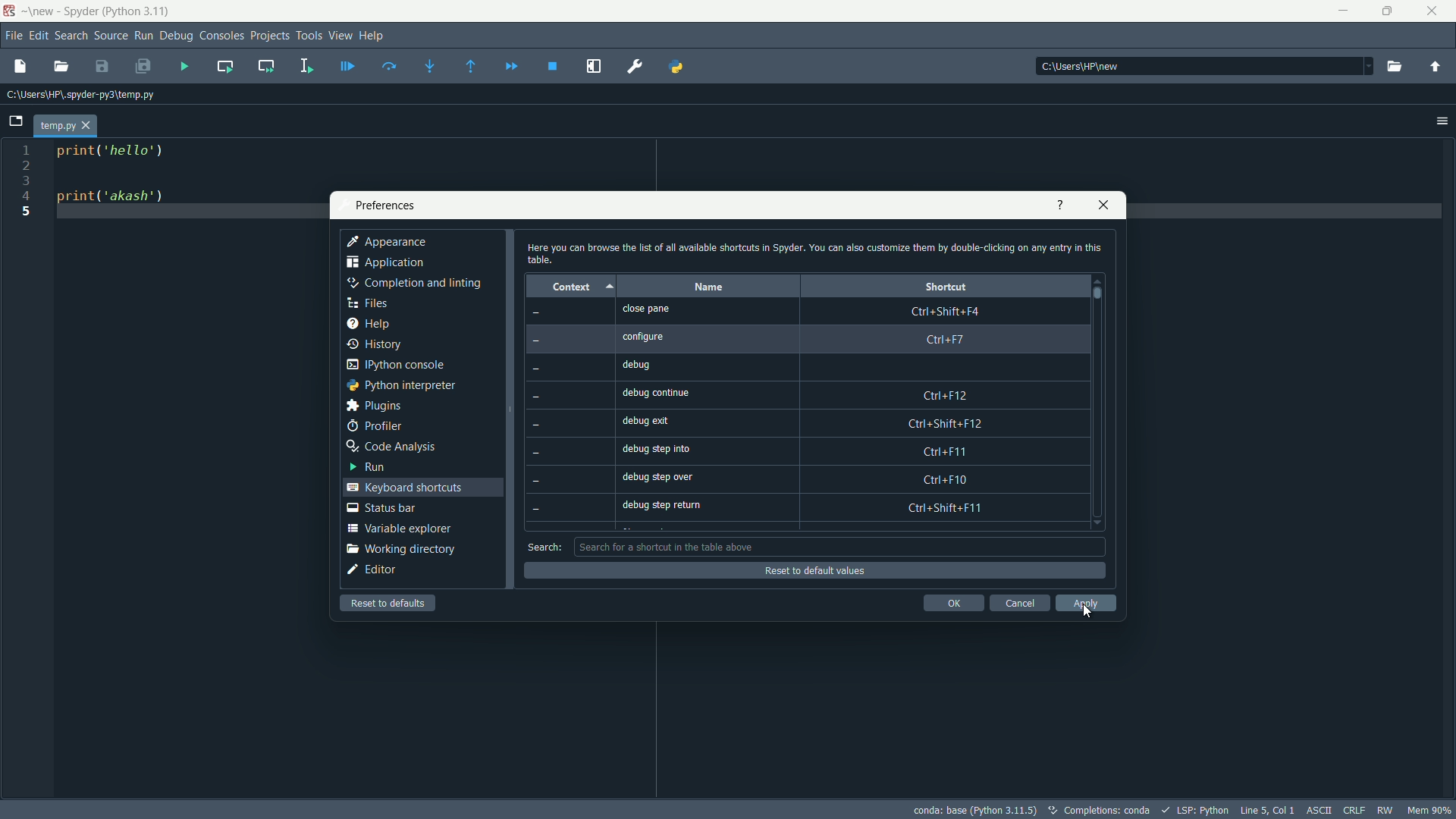 This screenshot has height=819, width=1456. I want to click on context, so click(568, 288).